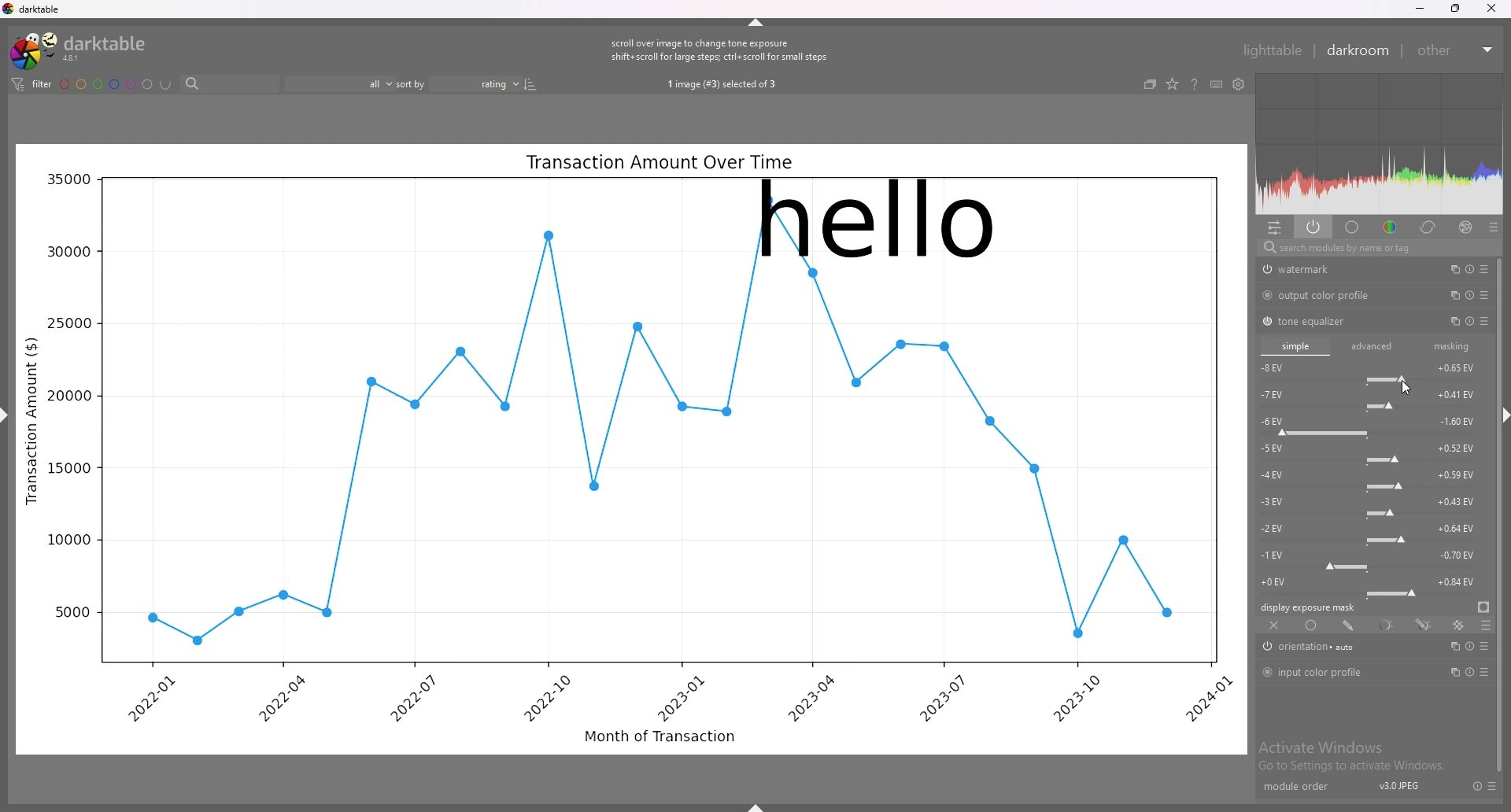 This screenshot has width=1511, height=812. I want to click on -8 EV force, so click(1369, 371).